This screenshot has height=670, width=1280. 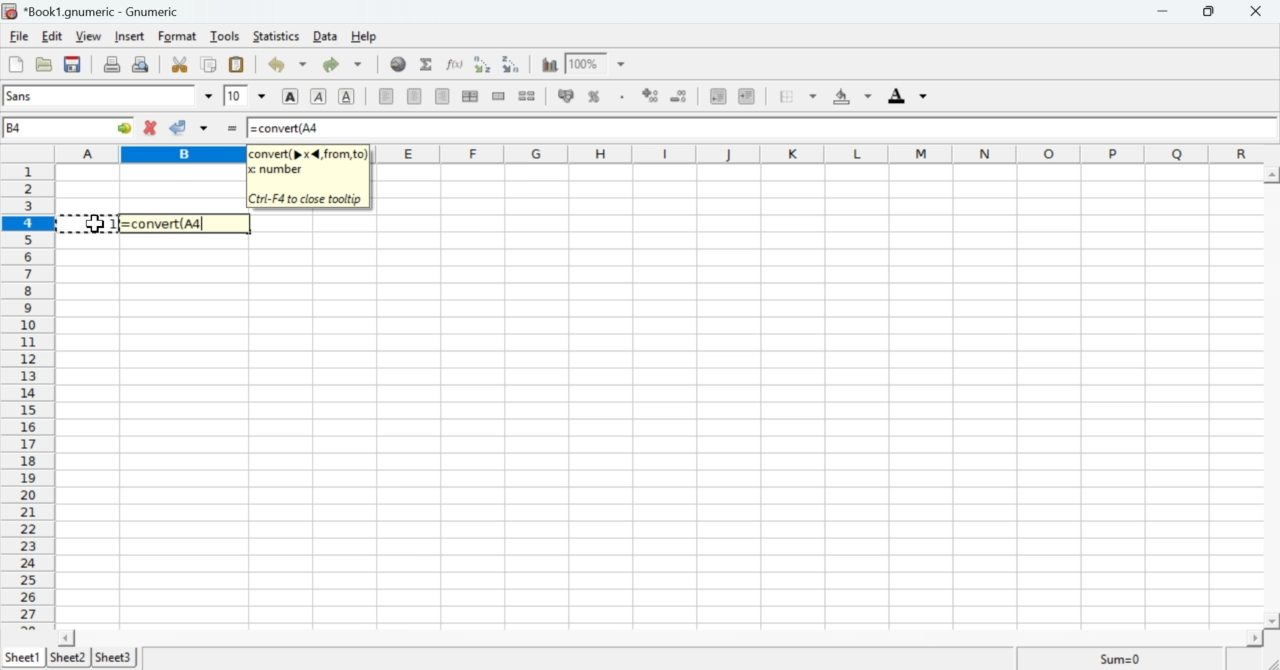 I want to click on Paste the clipboard, so click(x=238, y=63).